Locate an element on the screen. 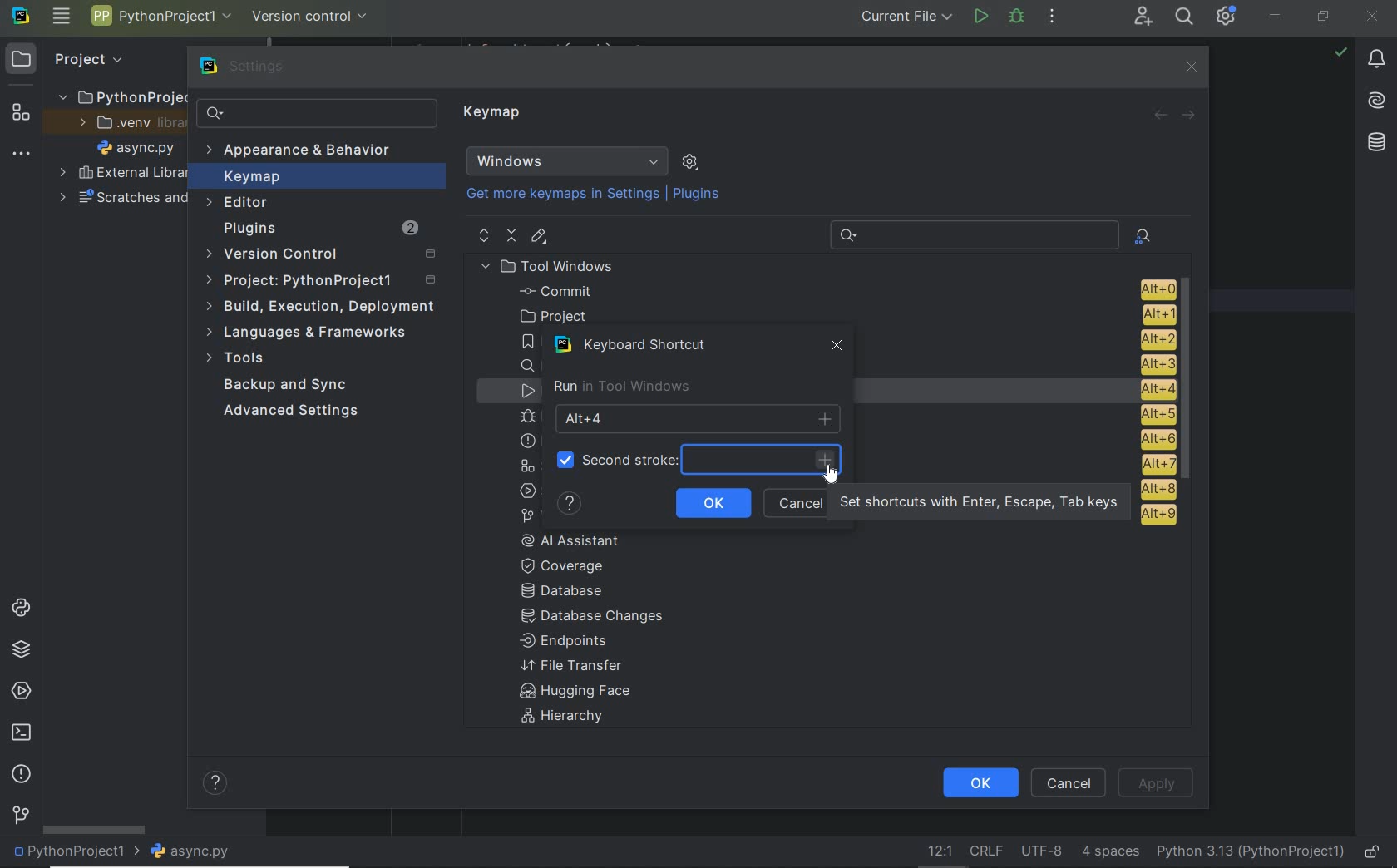 The height and width of the screenshot is (868, 1397). build, execution, deployment is located at coordinates (319, 307).